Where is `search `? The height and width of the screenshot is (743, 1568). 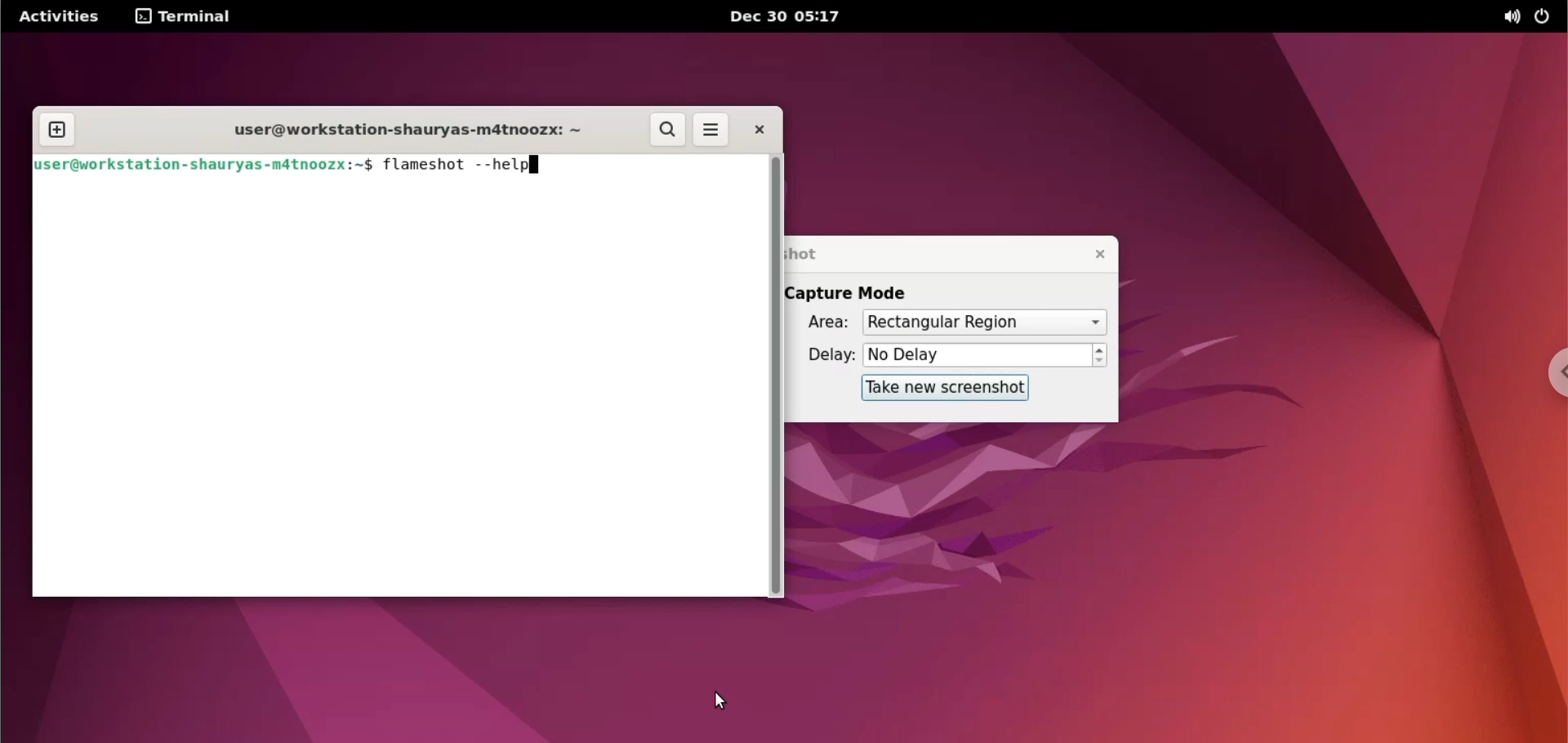
search  is located at coordinates (667, 130).